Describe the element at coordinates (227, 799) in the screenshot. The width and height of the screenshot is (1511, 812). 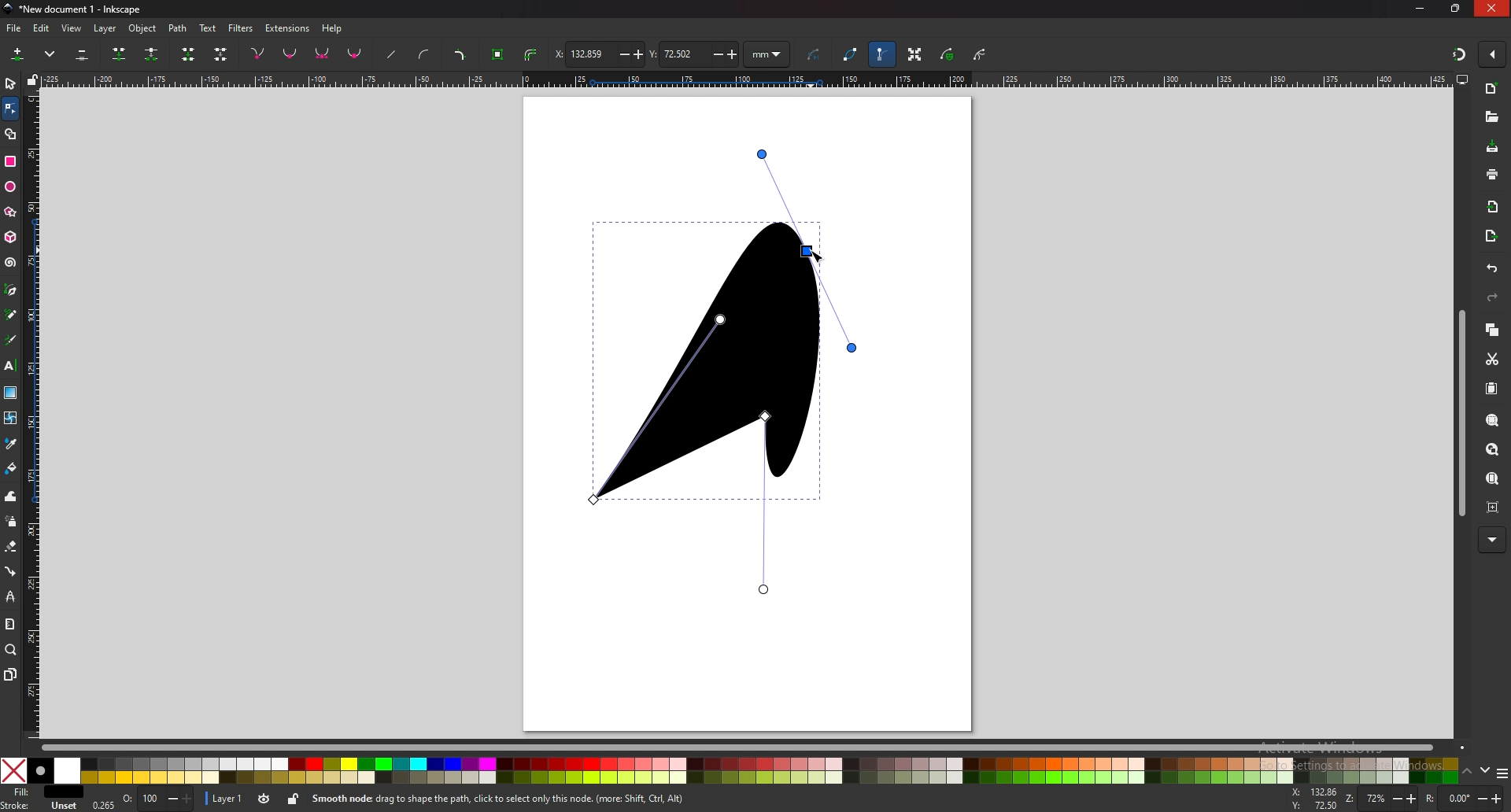
I see `layer` at that location.